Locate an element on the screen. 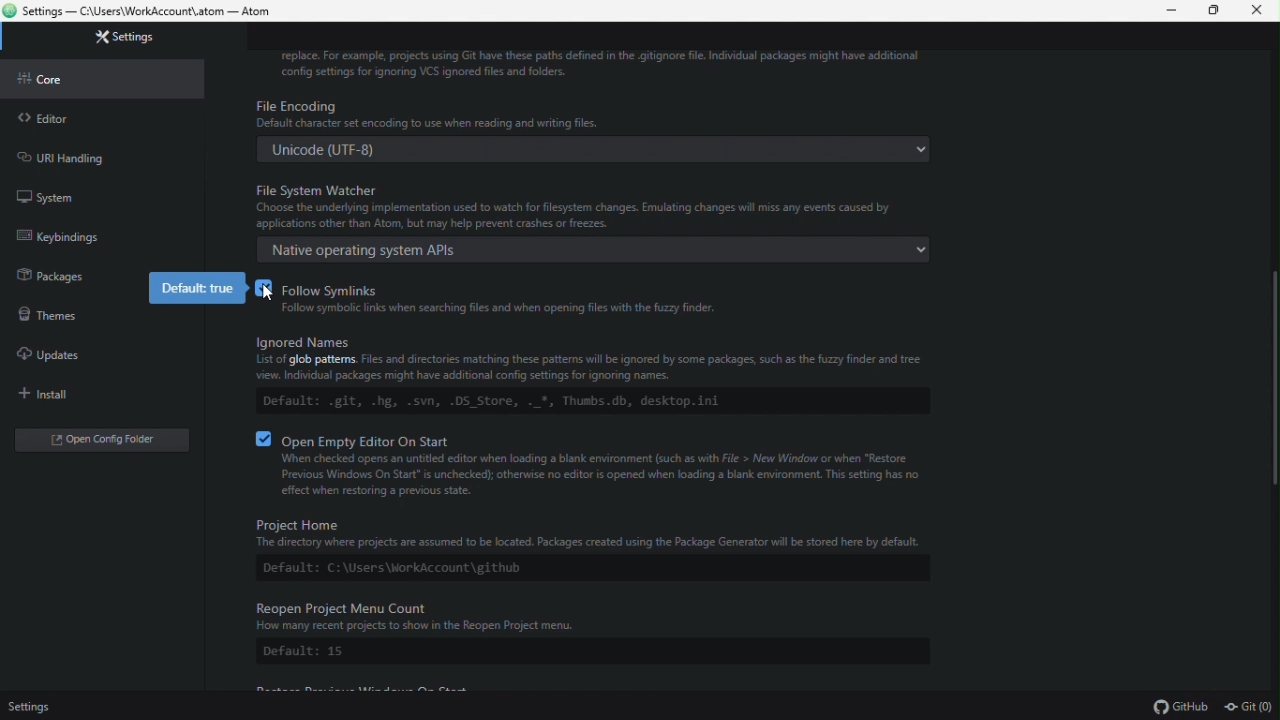  Open empty editor on start is located at coordinates (609, 467).